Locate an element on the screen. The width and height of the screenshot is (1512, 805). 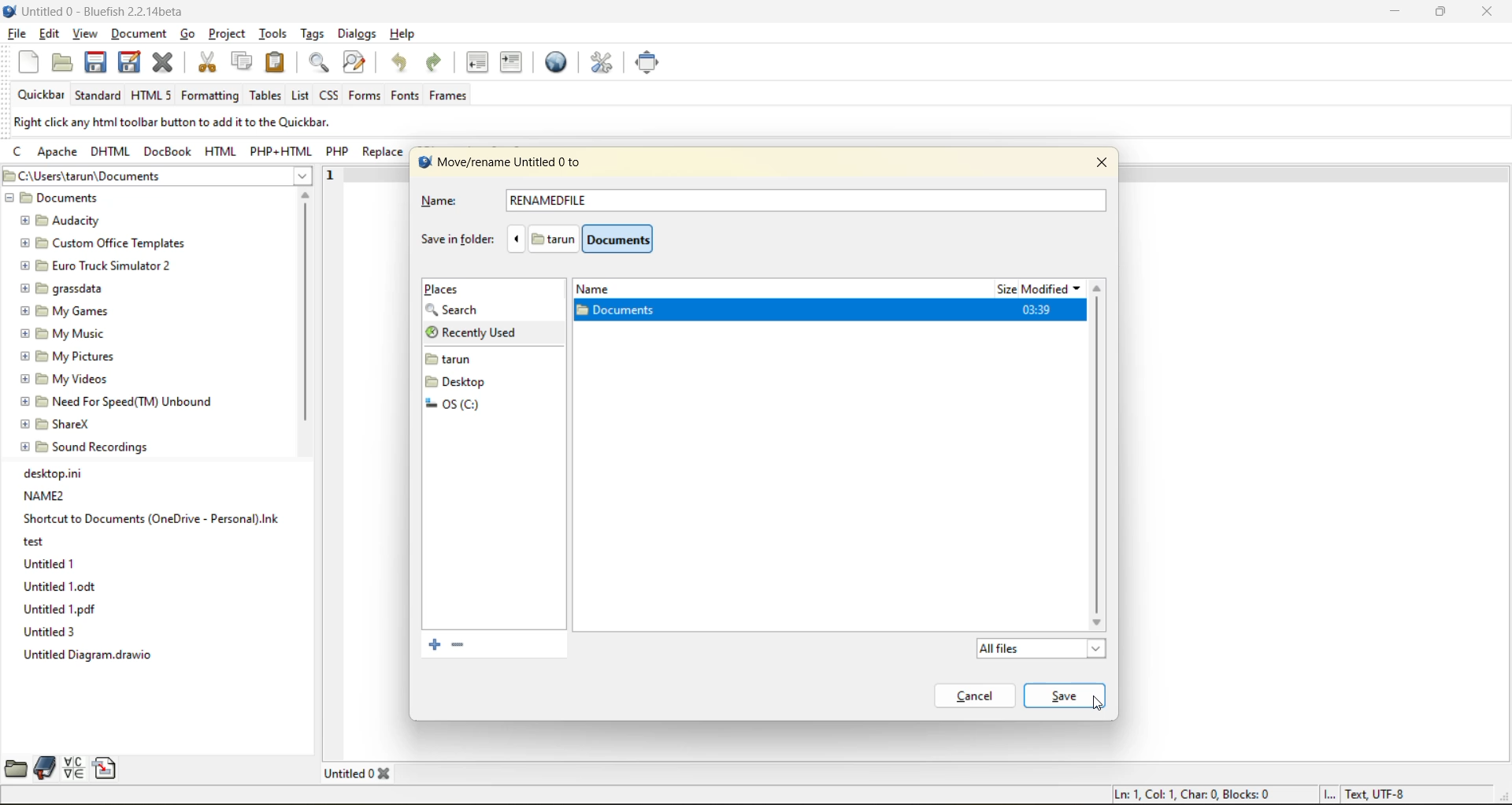
Euro Truck Simulator 2 is located at coordinates (99, 267).